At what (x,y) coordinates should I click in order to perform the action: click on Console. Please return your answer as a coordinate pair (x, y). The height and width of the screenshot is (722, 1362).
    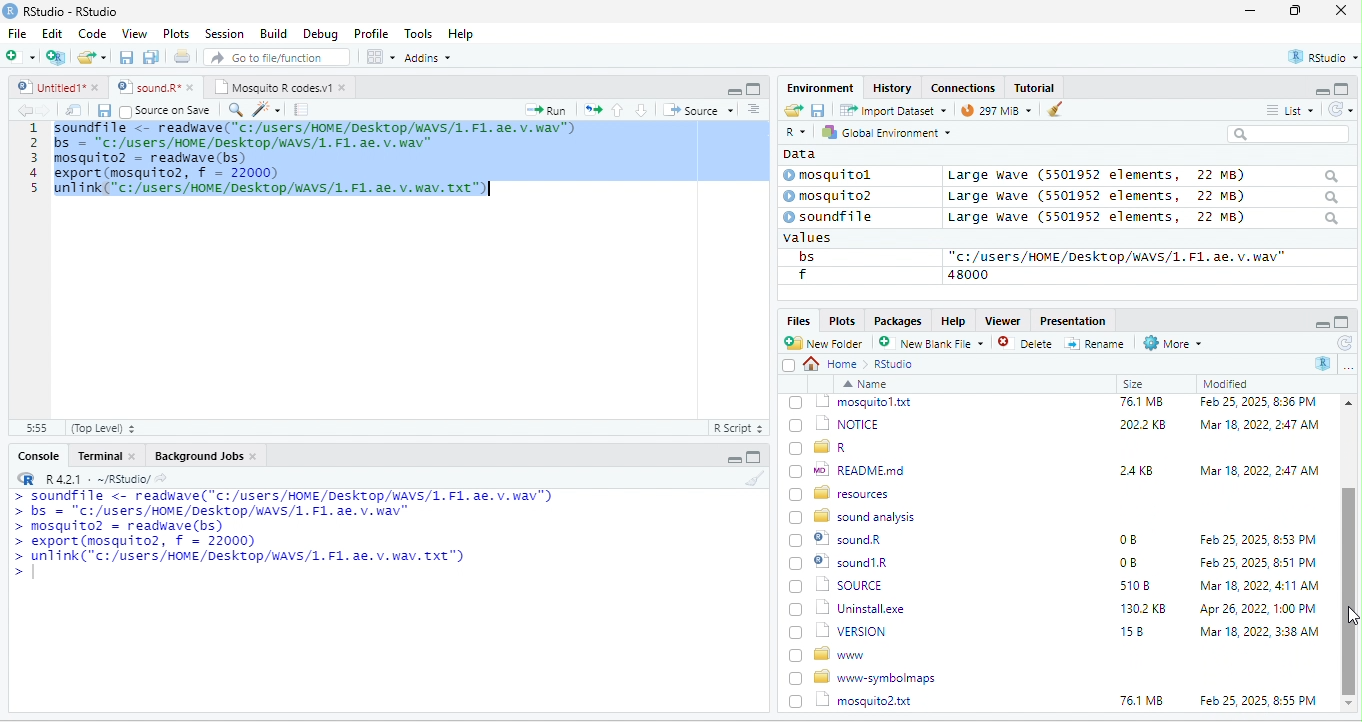
    Looking at the image, I should click on (37, 454).